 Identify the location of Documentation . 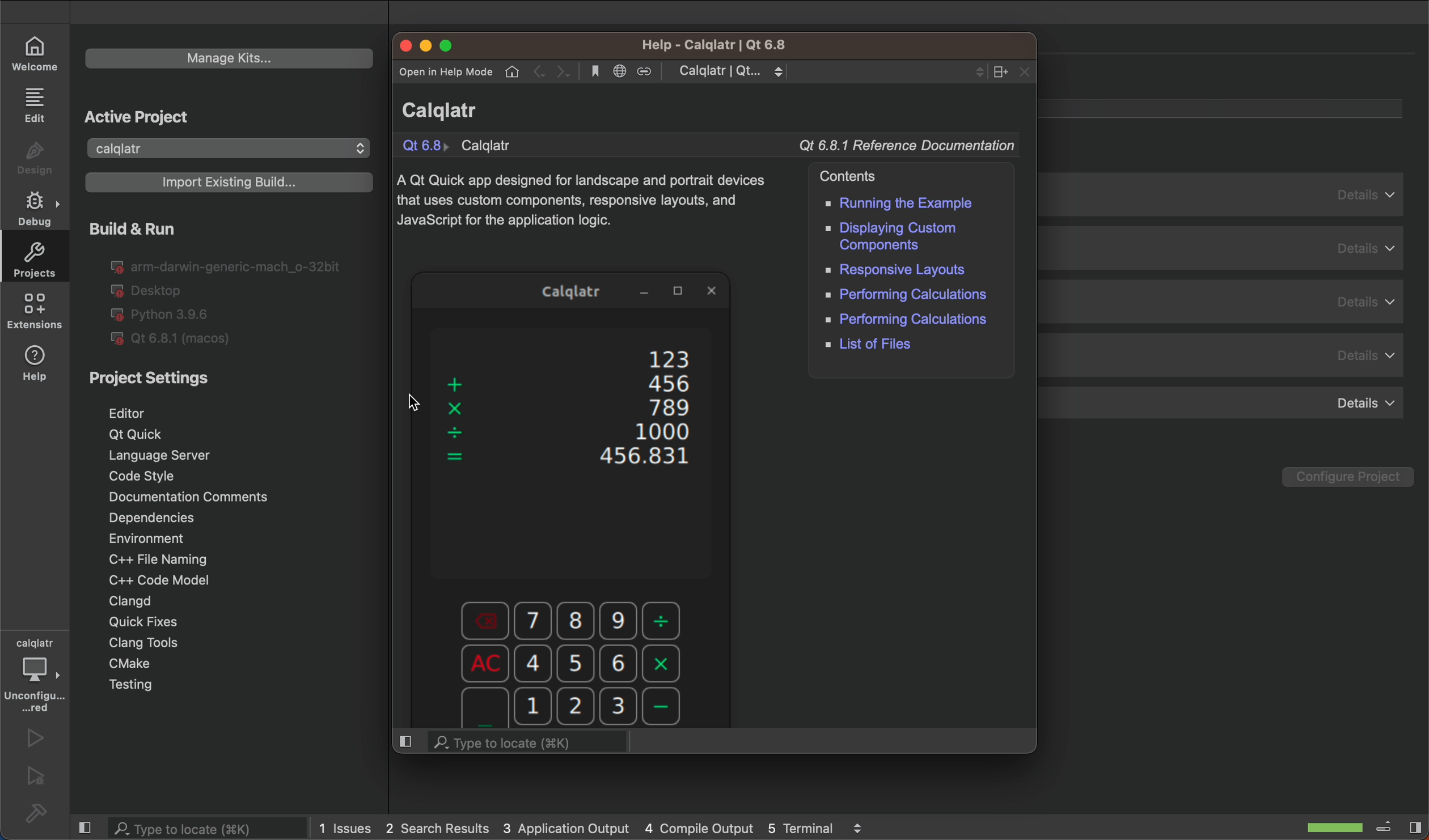
(904, 142).